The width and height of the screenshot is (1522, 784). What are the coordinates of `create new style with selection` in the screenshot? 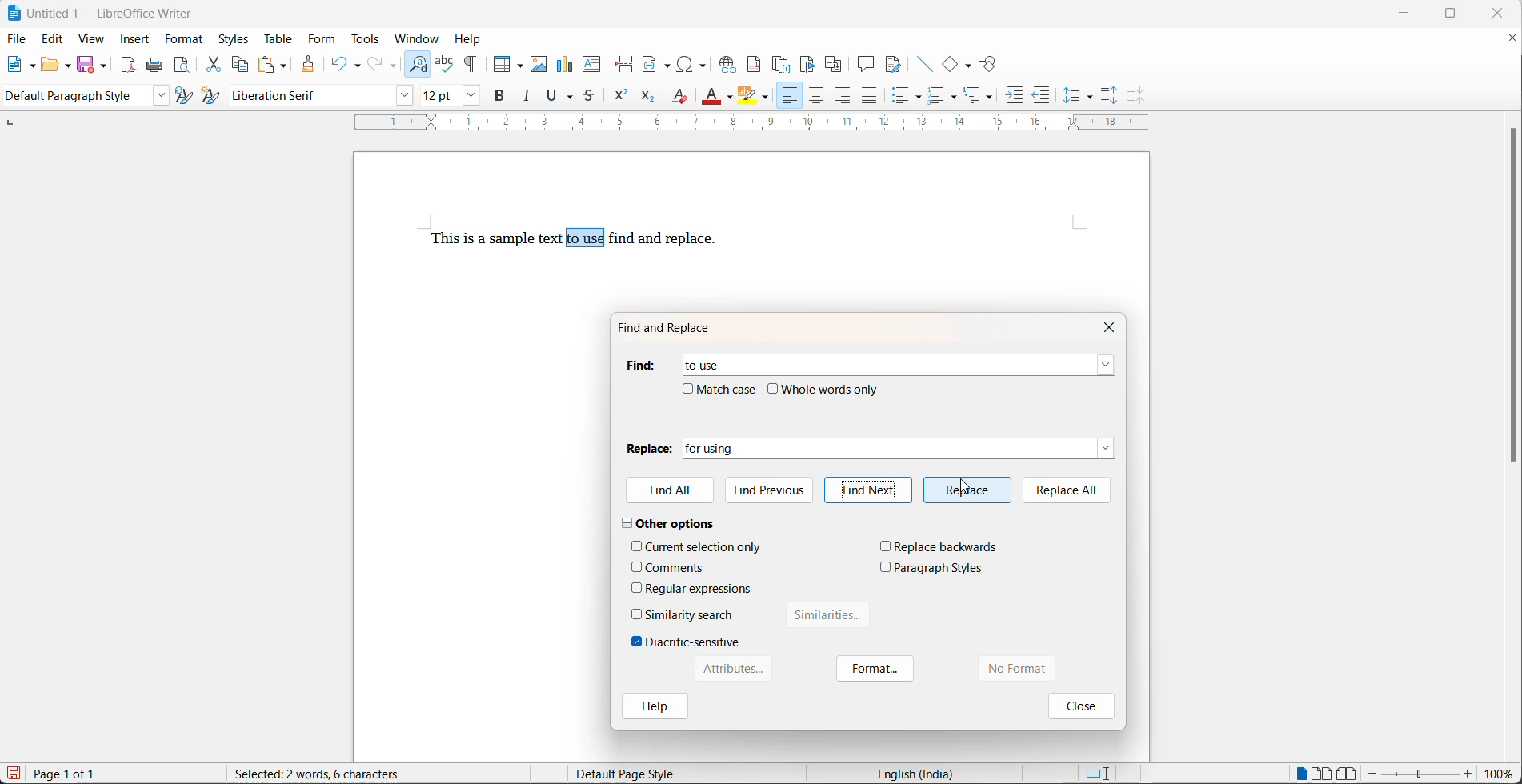 It's located at (214, 95).